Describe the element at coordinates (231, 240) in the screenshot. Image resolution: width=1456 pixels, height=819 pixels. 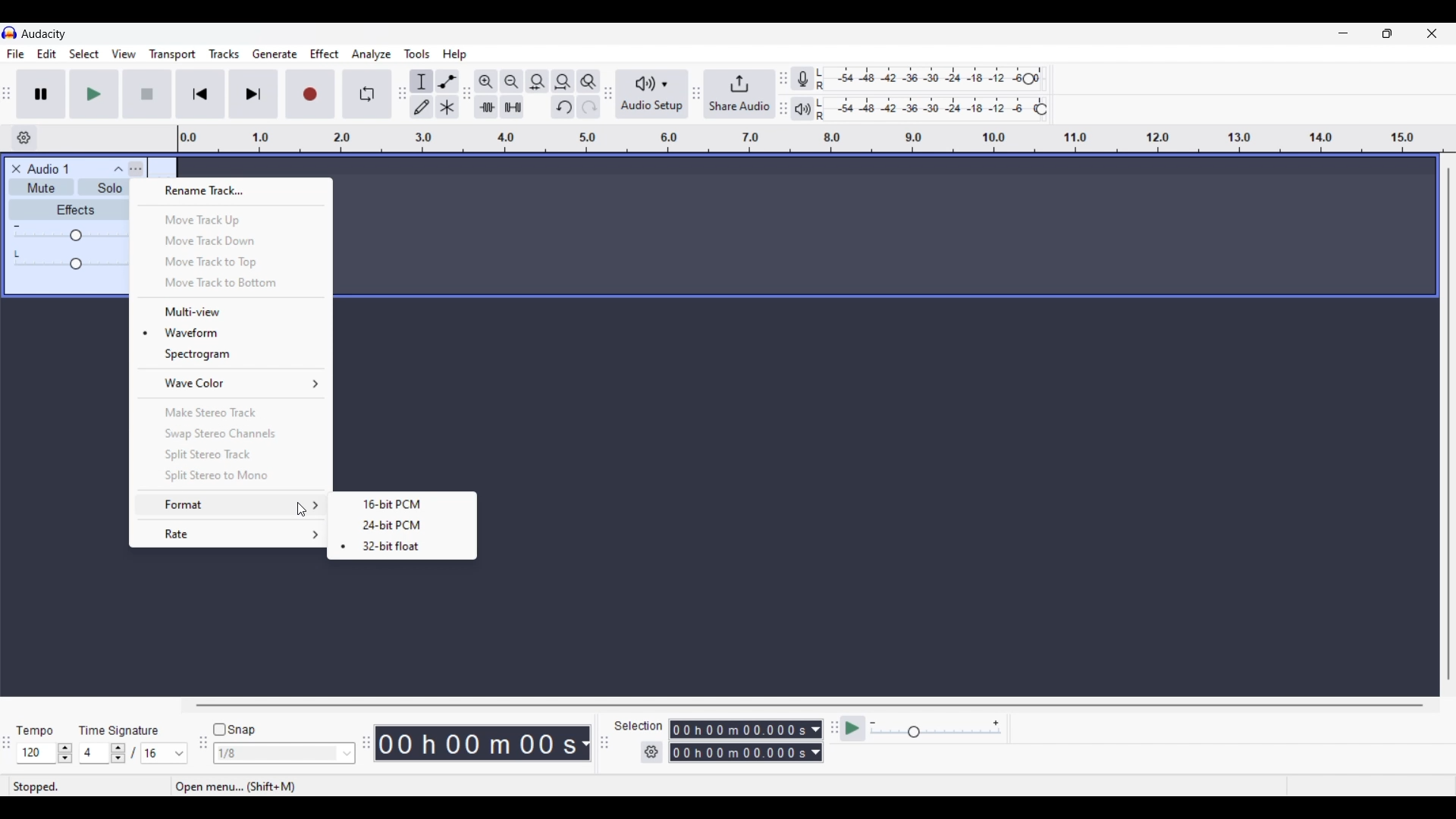
I see `Move track down` at that location.